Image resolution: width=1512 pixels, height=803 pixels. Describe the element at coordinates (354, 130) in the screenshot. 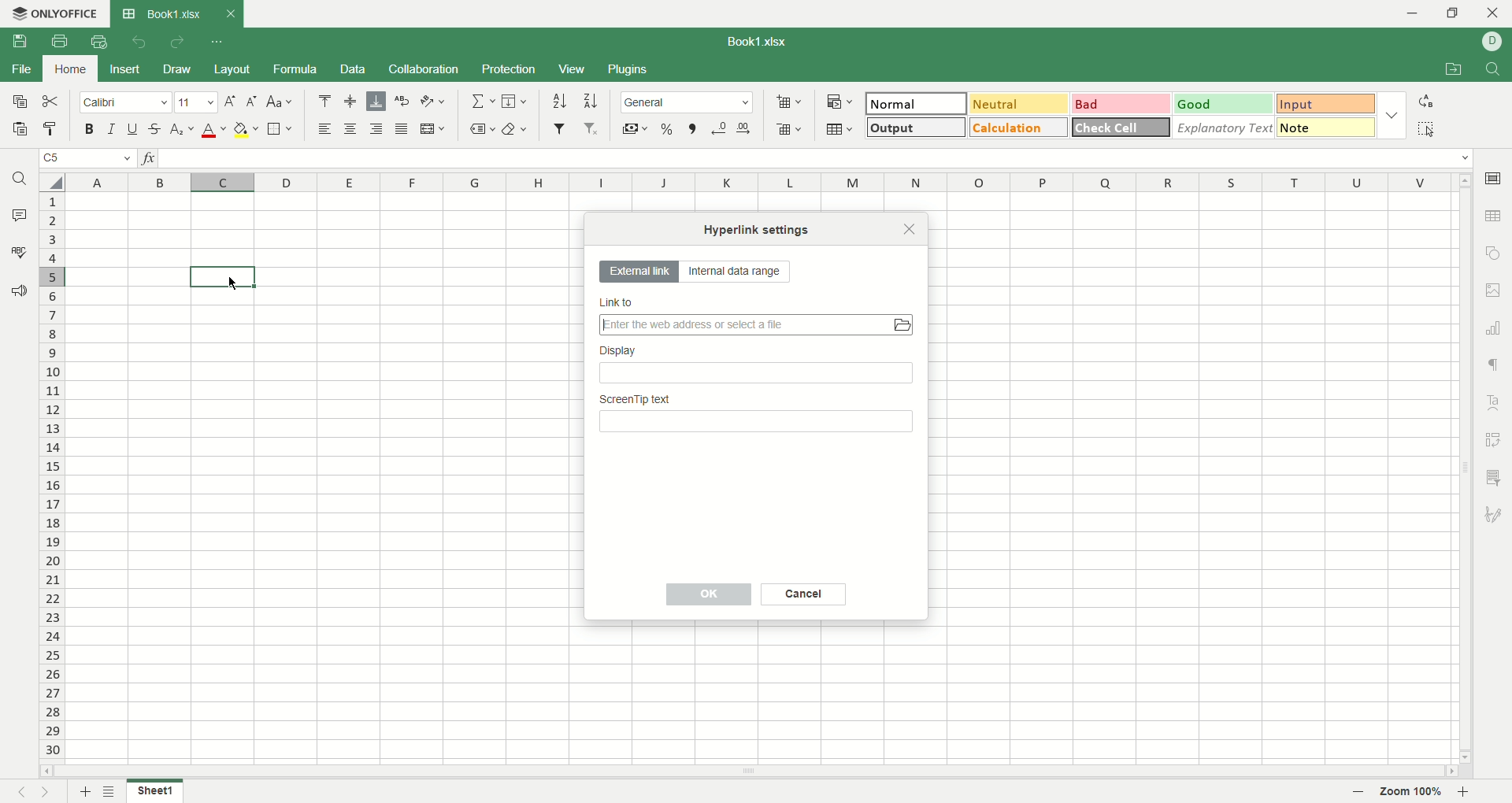

I see `align center` at that location.